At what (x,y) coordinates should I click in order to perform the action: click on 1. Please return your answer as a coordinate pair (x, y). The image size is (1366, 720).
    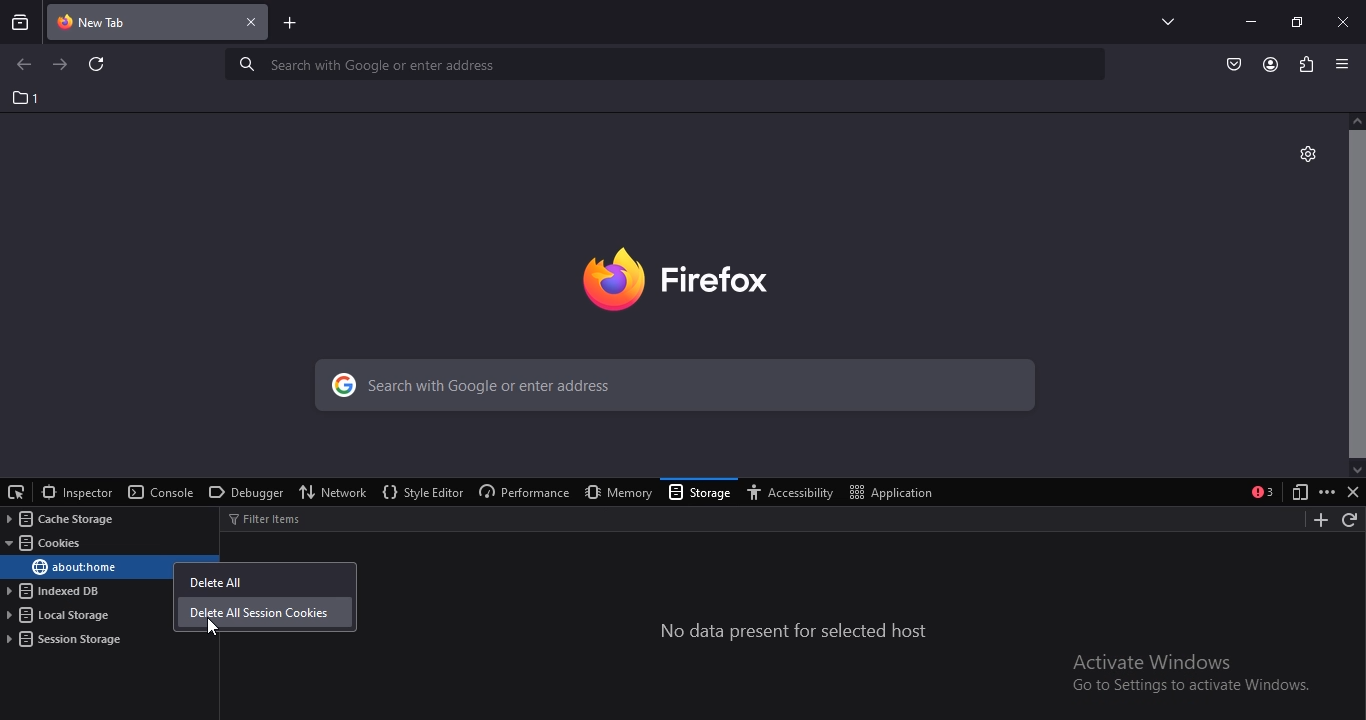
    Looking at the image, I should click on (27, 98).